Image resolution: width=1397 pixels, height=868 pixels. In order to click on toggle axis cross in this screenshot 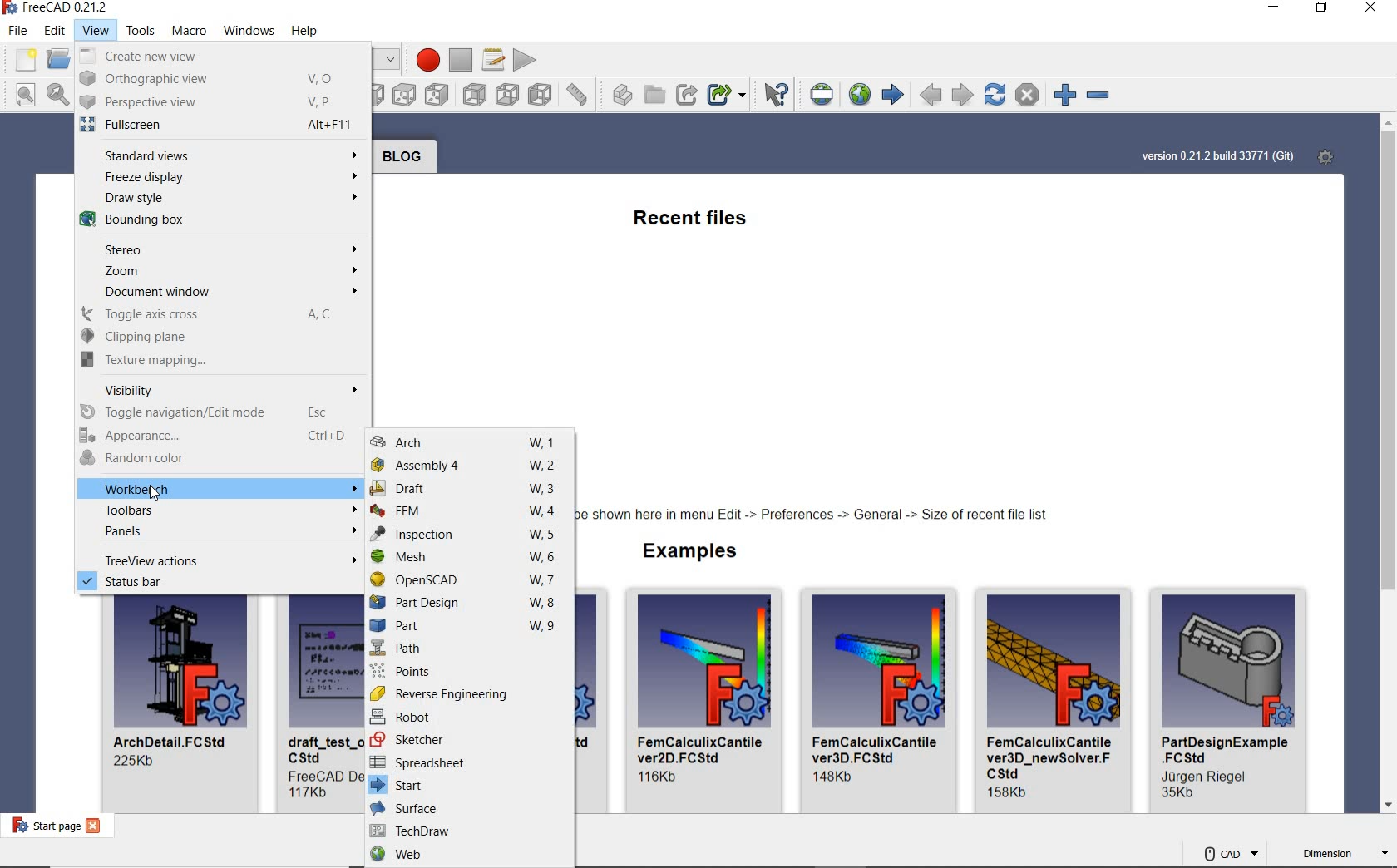, I will do `click(221, 316)`.